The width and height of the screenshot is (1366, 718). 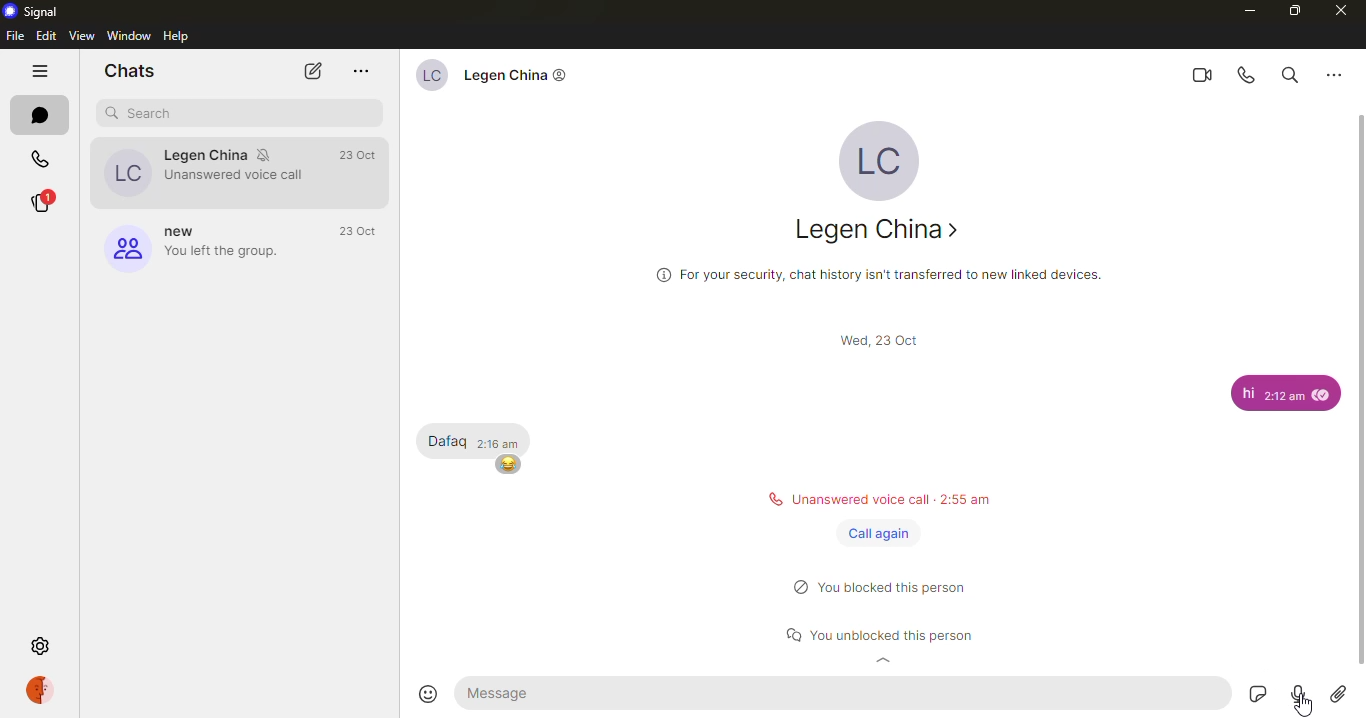 What do you see at coordinates (872, 339) in the screenshot?
I see `scroll bar` at bounding box center [872, 339].